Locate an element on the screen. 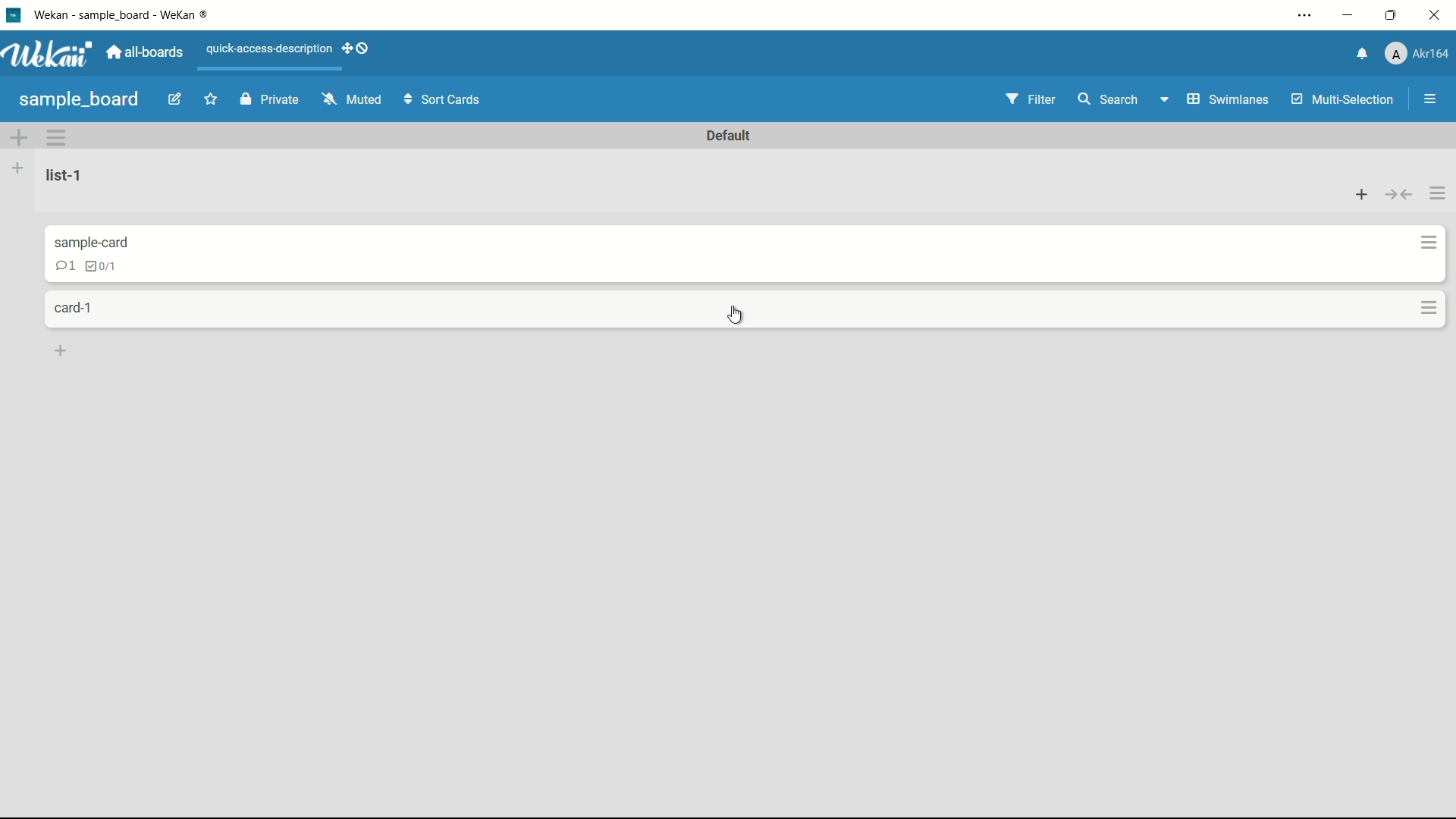 This screenshot has width=1456, height=819. add swimlane is located at coordinates (17, 140).